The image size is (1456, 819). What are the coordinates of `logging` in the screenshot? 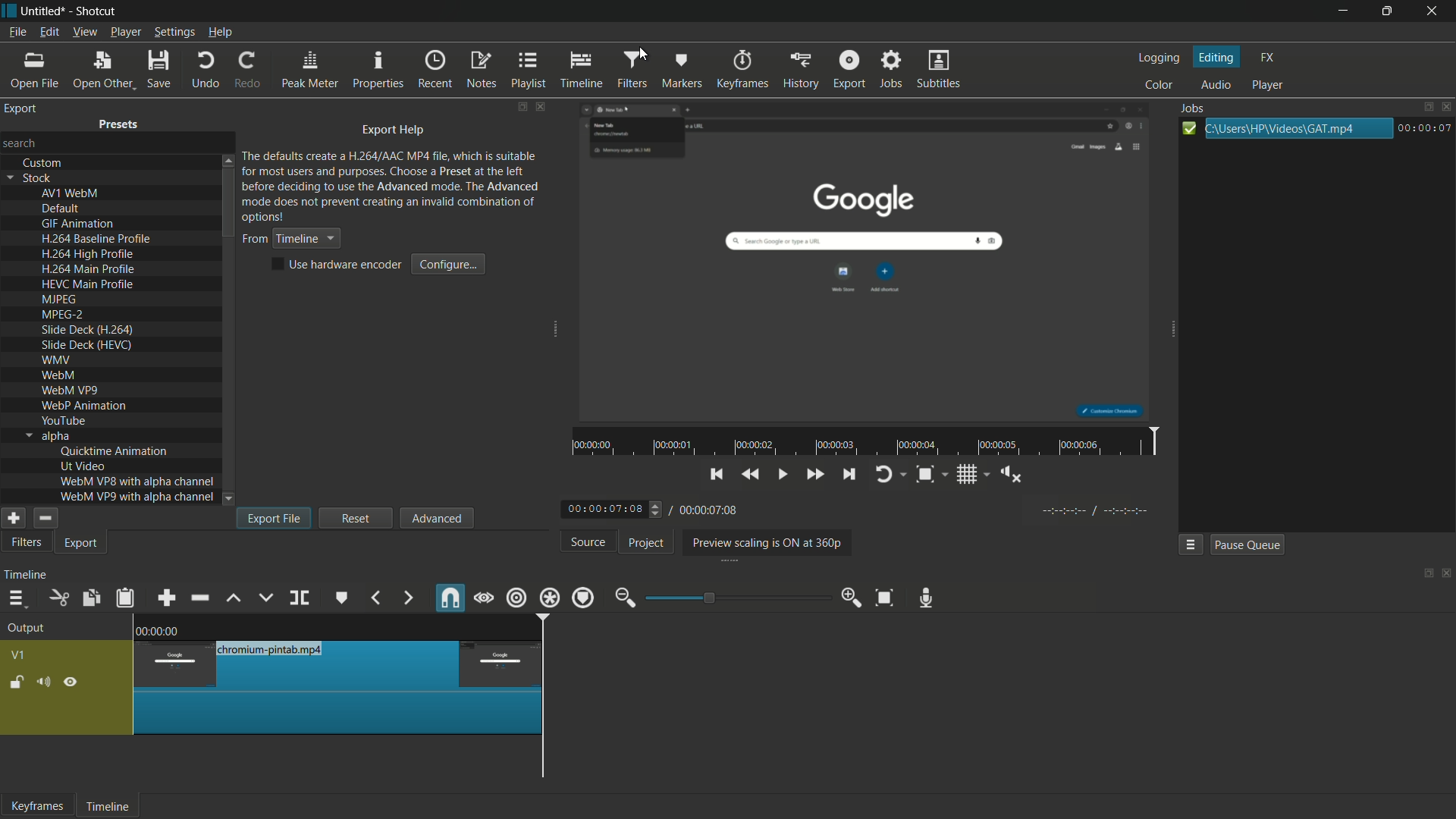 It's located at (1157, 59).